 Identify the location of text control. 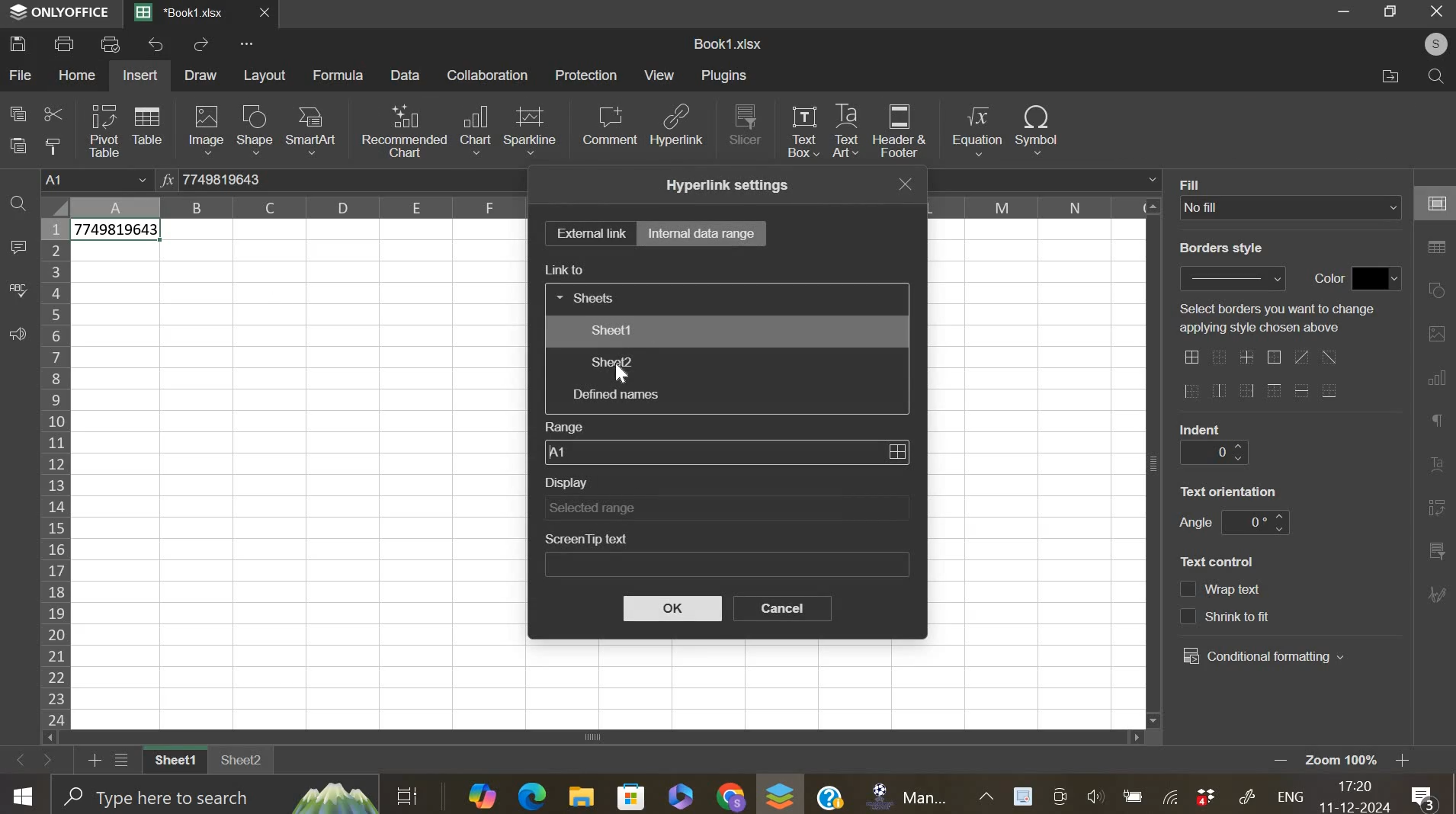
(1226, 603).